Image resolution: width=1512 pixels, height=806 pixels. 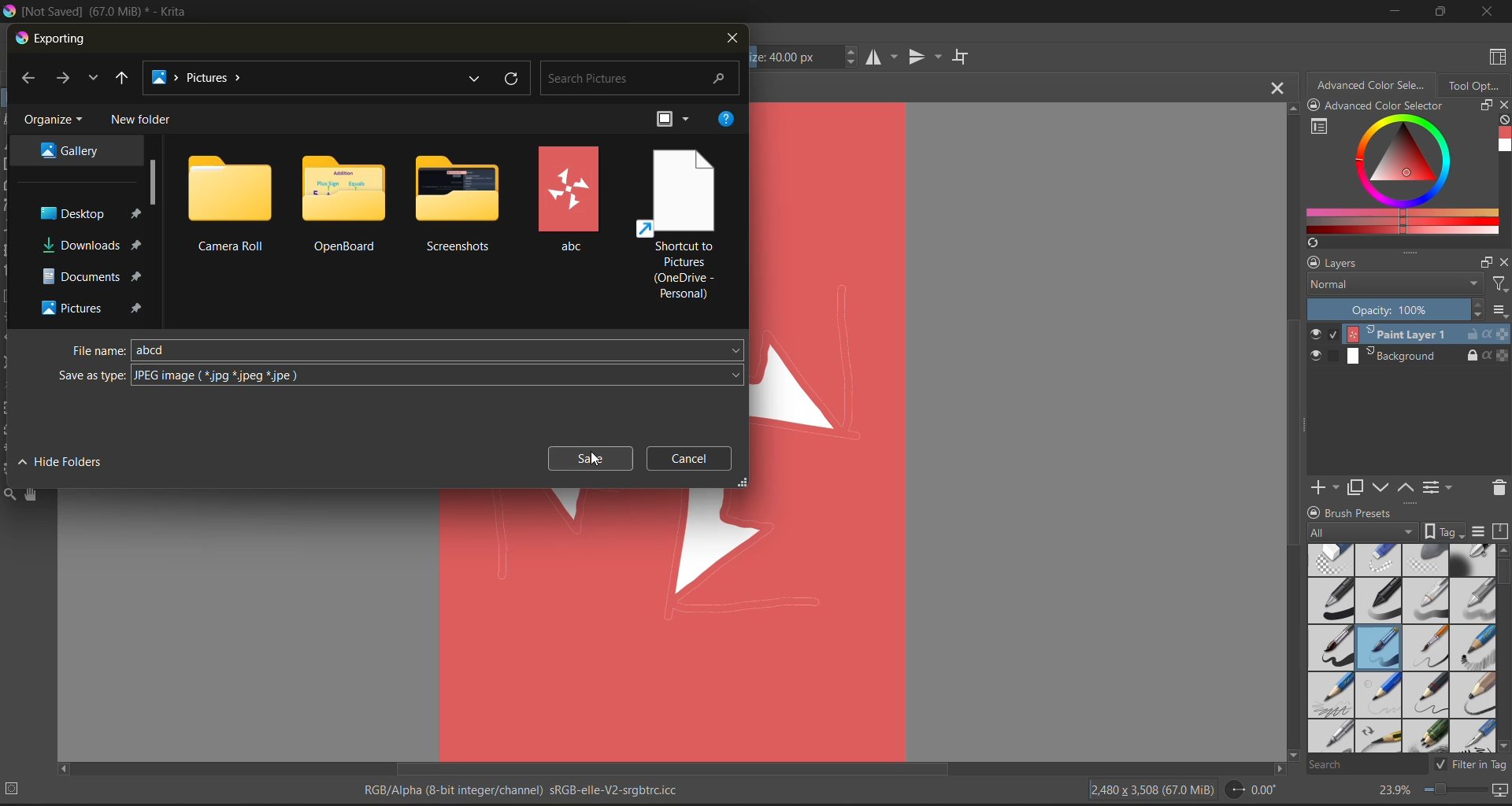 What do you see at coordinates (1481, 532) in the screenshot?
I see `display settings` at bounding box center [1481, 532].